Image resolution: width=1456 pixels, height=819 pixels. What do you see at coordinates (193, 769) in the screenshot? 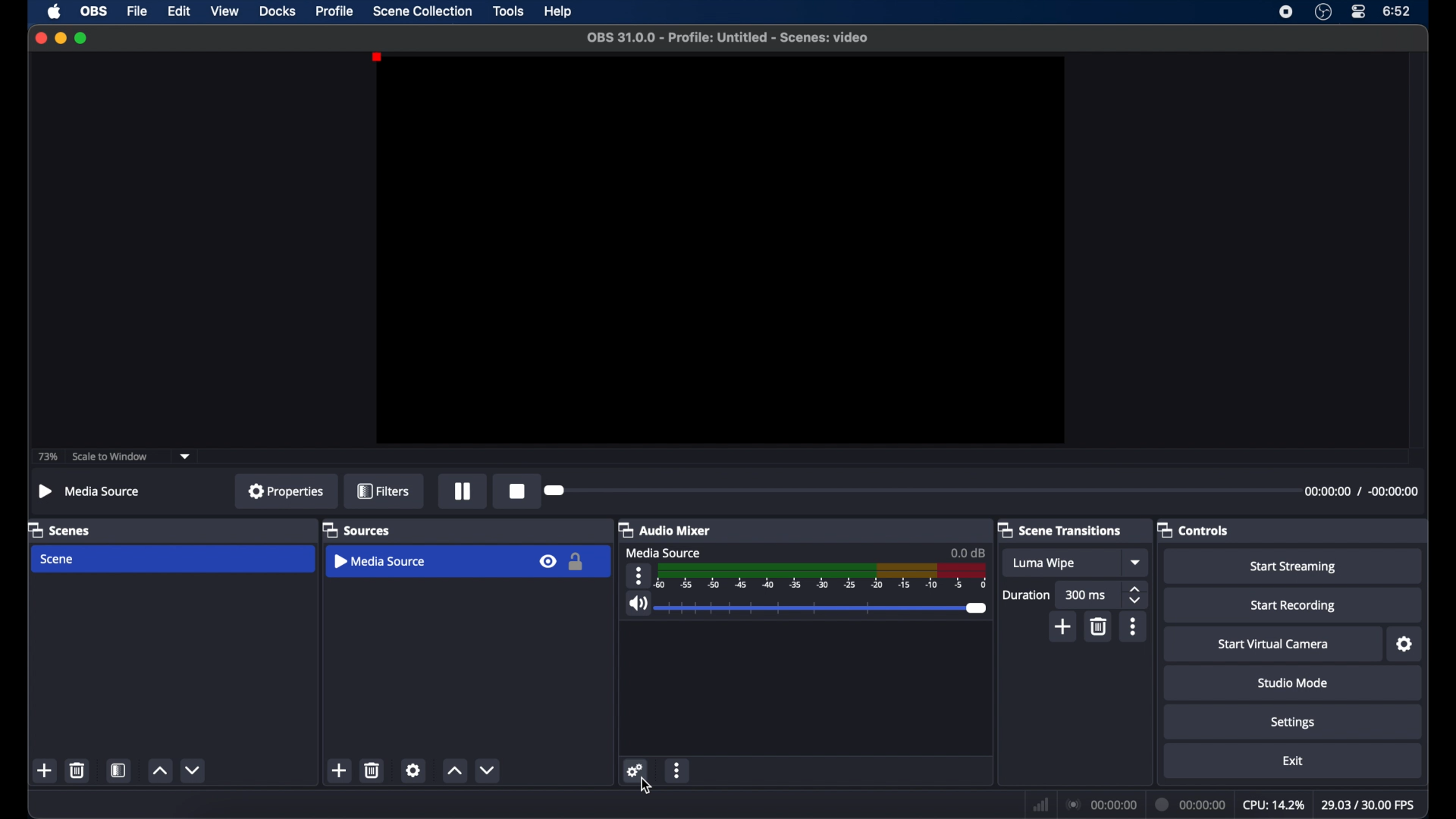
I see `decrement` at bounding box center [193, 769].